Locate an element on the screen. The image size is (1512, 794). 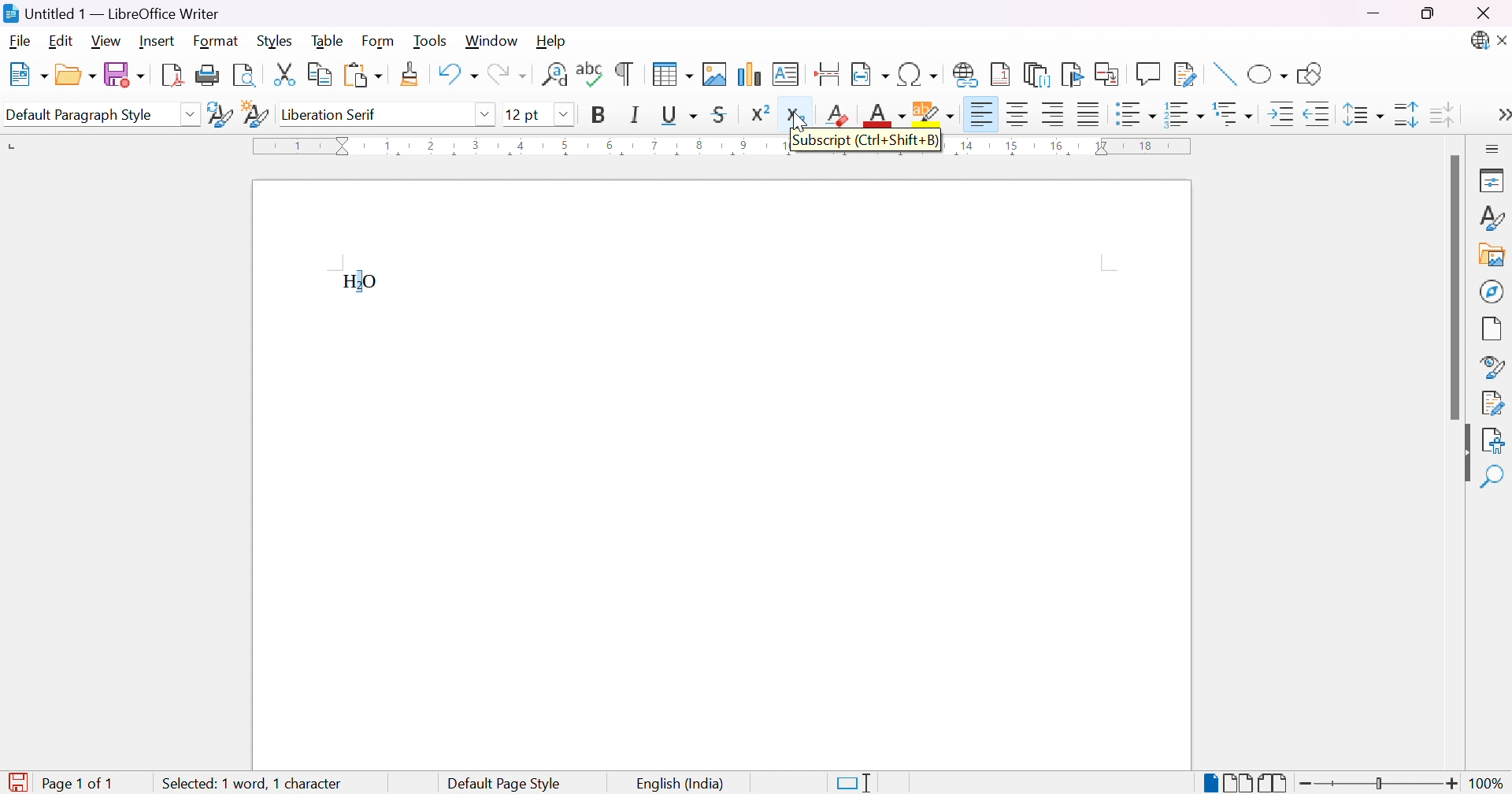
Standard selection. Click to change selection mode. is located at coordinates (854, 783).